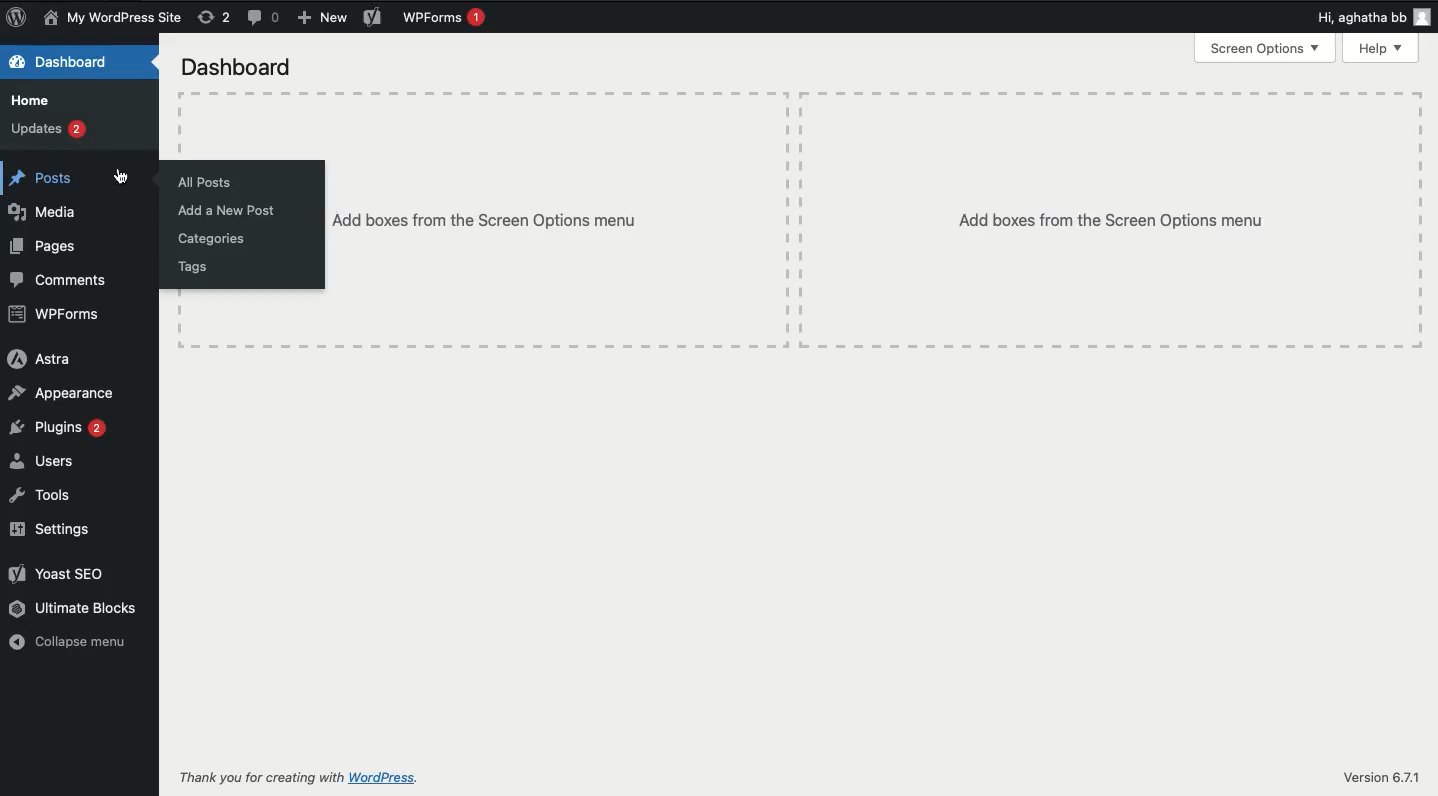  What do you see at coordinates (1111, 223) in the screenshot?
I see `Add boxes from the Screen options menu` at bounding box center [1111, 223].